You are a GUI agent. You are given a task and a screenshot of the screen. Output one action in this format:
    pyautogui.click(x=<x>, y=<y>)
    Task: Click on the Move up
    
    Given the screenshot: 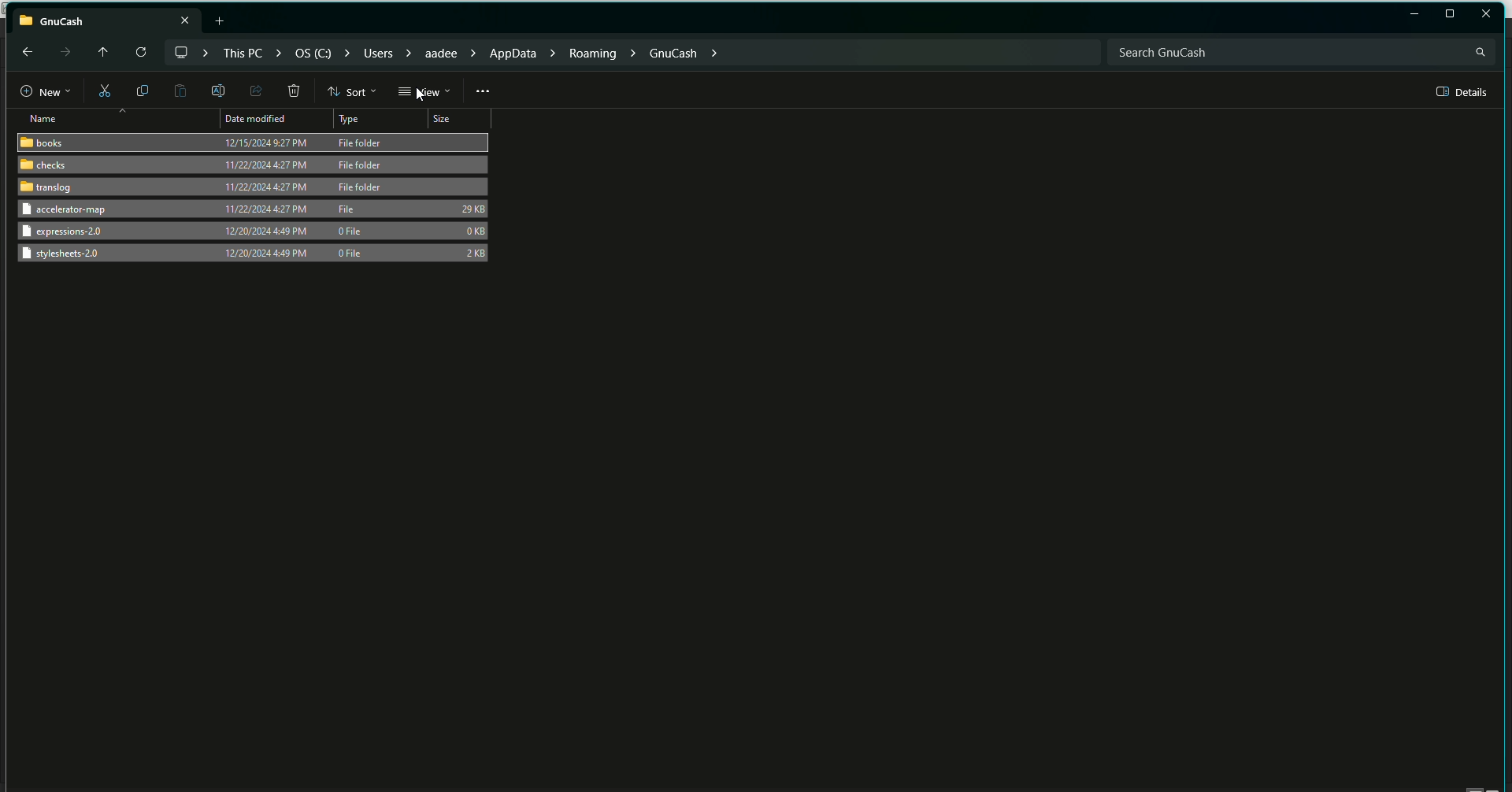 What is the action you would take?
    pyautogui.click(x=99, y=50)
    